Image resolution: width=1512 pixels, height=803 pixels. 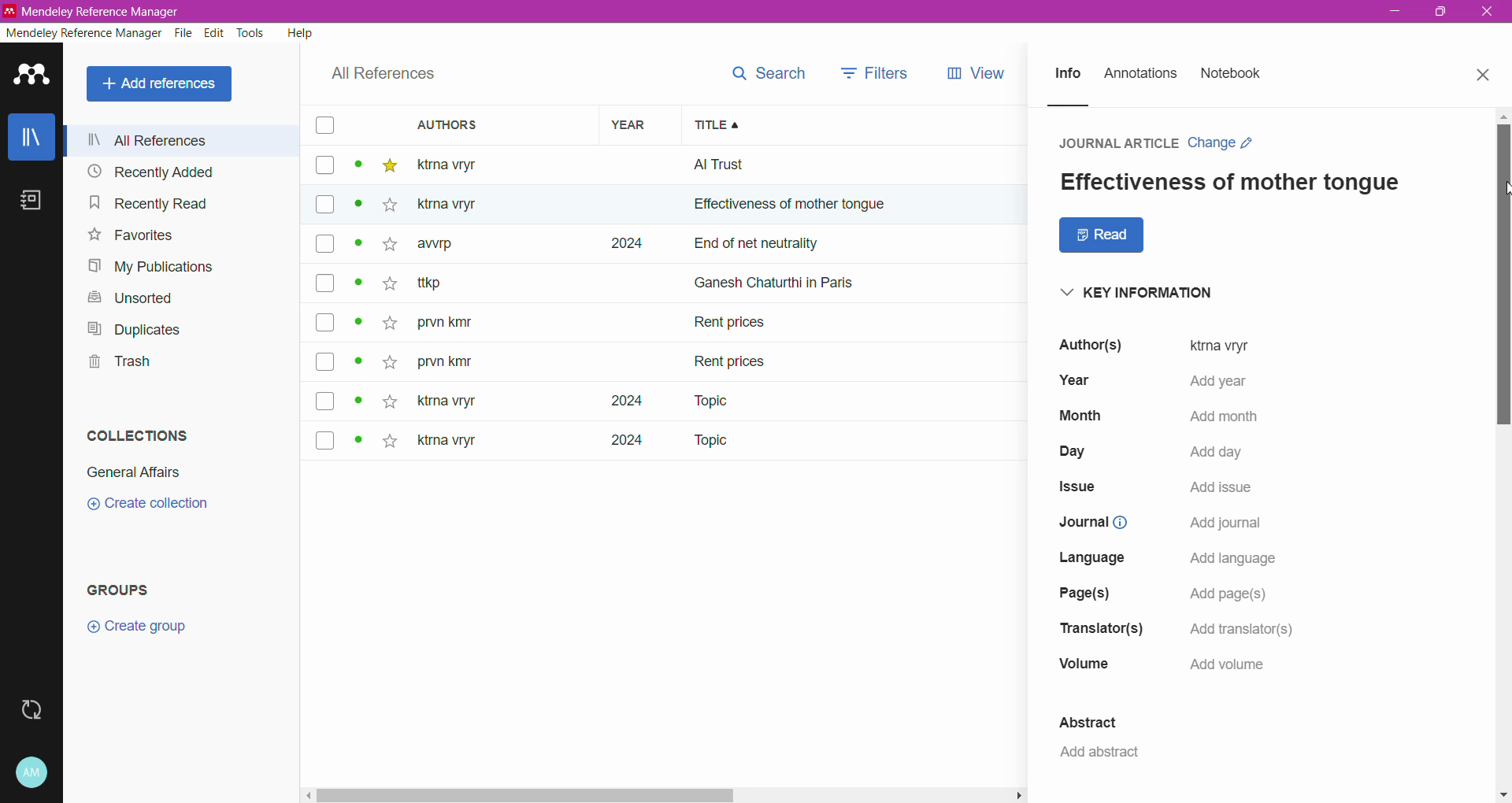 What do you see at coordinates (154, 267) in the screenshot?
I see `My Publications` at bounding box center [154, 267].